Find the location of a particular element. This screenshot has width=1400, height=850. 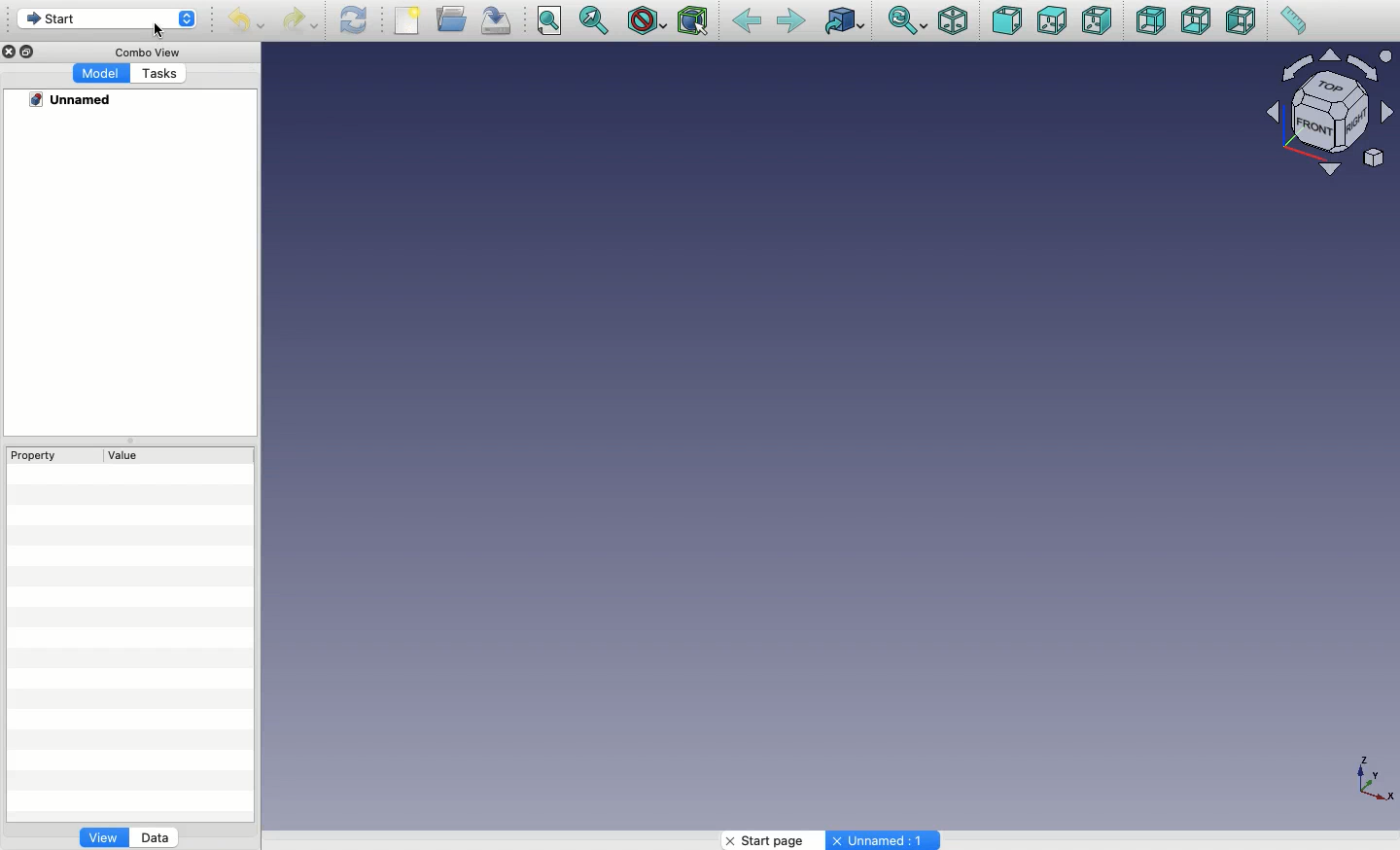

Tasks is located at coordinates (161, 74).